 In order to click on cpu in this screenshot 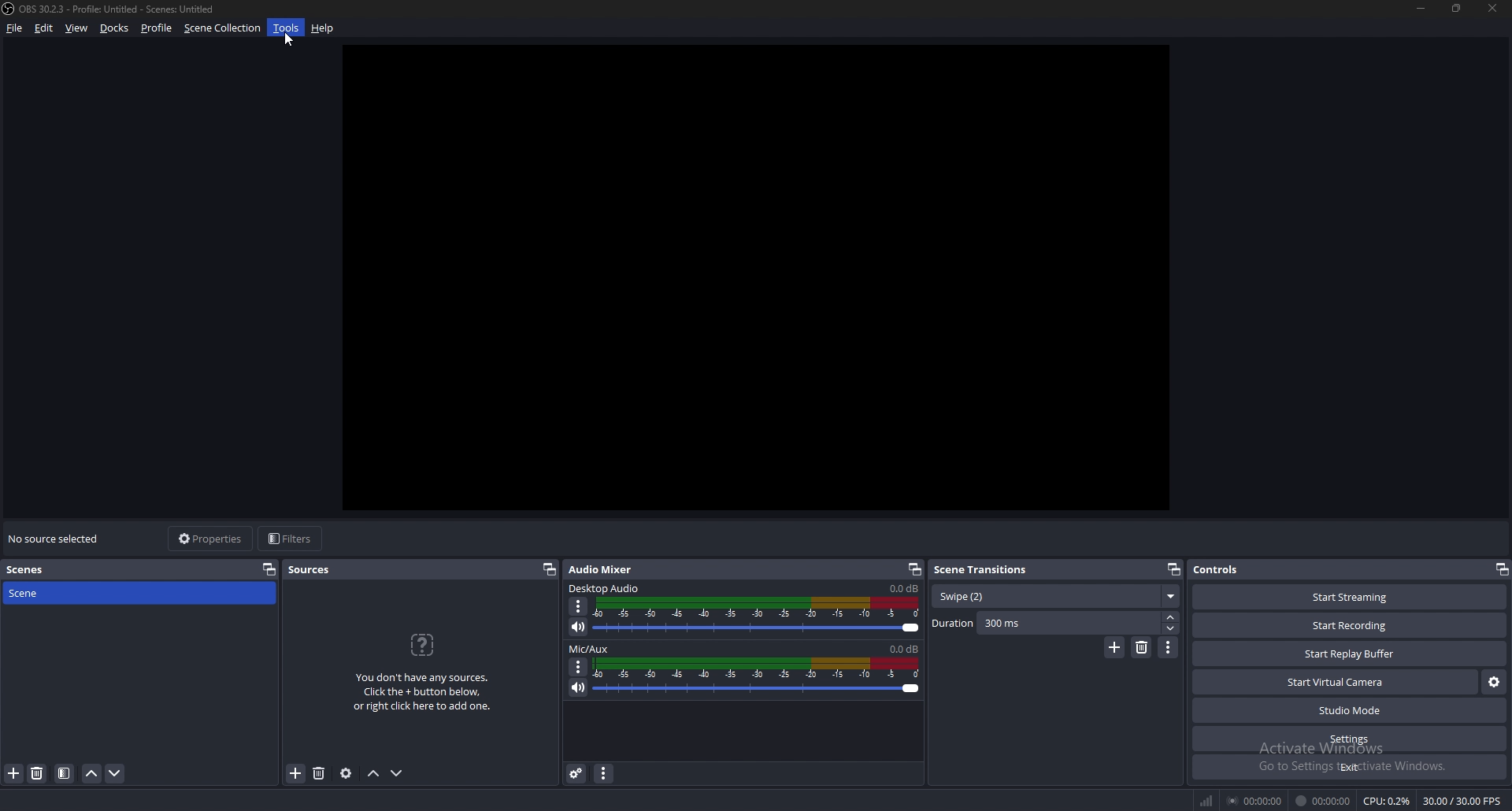, I will do `click(1387, 801)`.